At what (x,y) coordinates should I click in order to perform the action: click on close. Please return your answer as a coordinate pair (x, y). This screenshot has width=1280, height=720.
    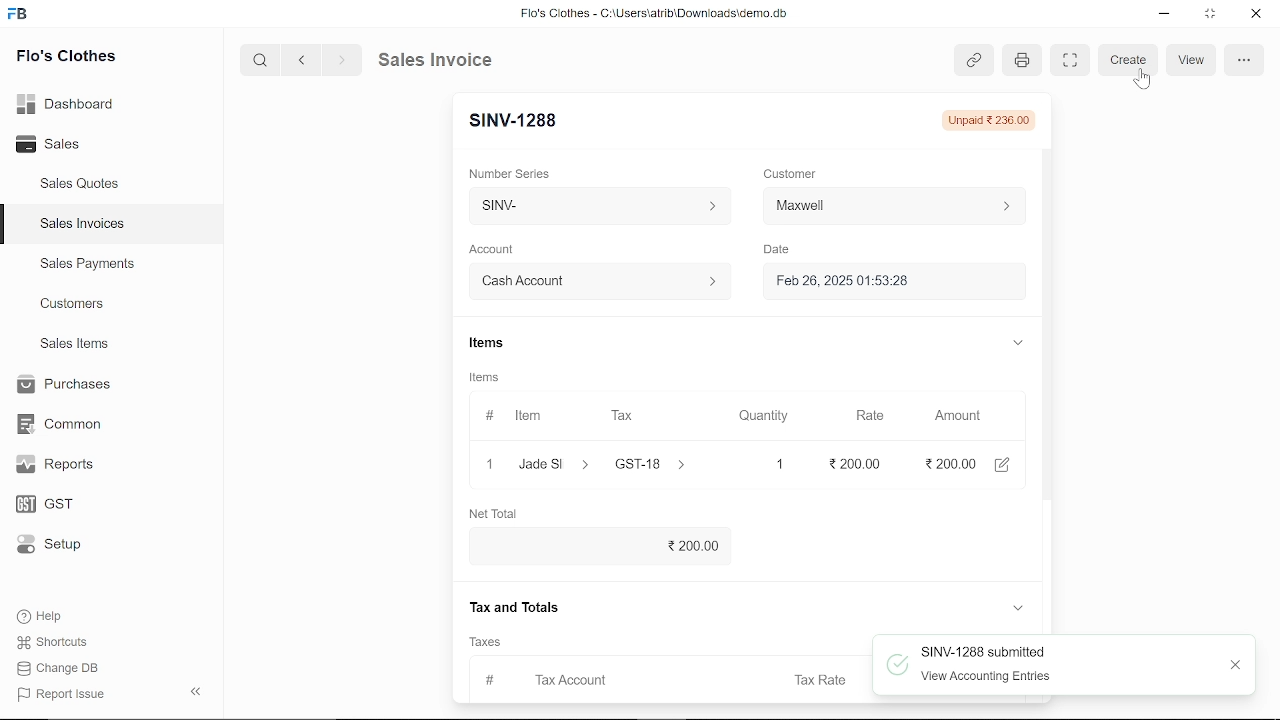
    Looking at the image, I should click on (488, 463).